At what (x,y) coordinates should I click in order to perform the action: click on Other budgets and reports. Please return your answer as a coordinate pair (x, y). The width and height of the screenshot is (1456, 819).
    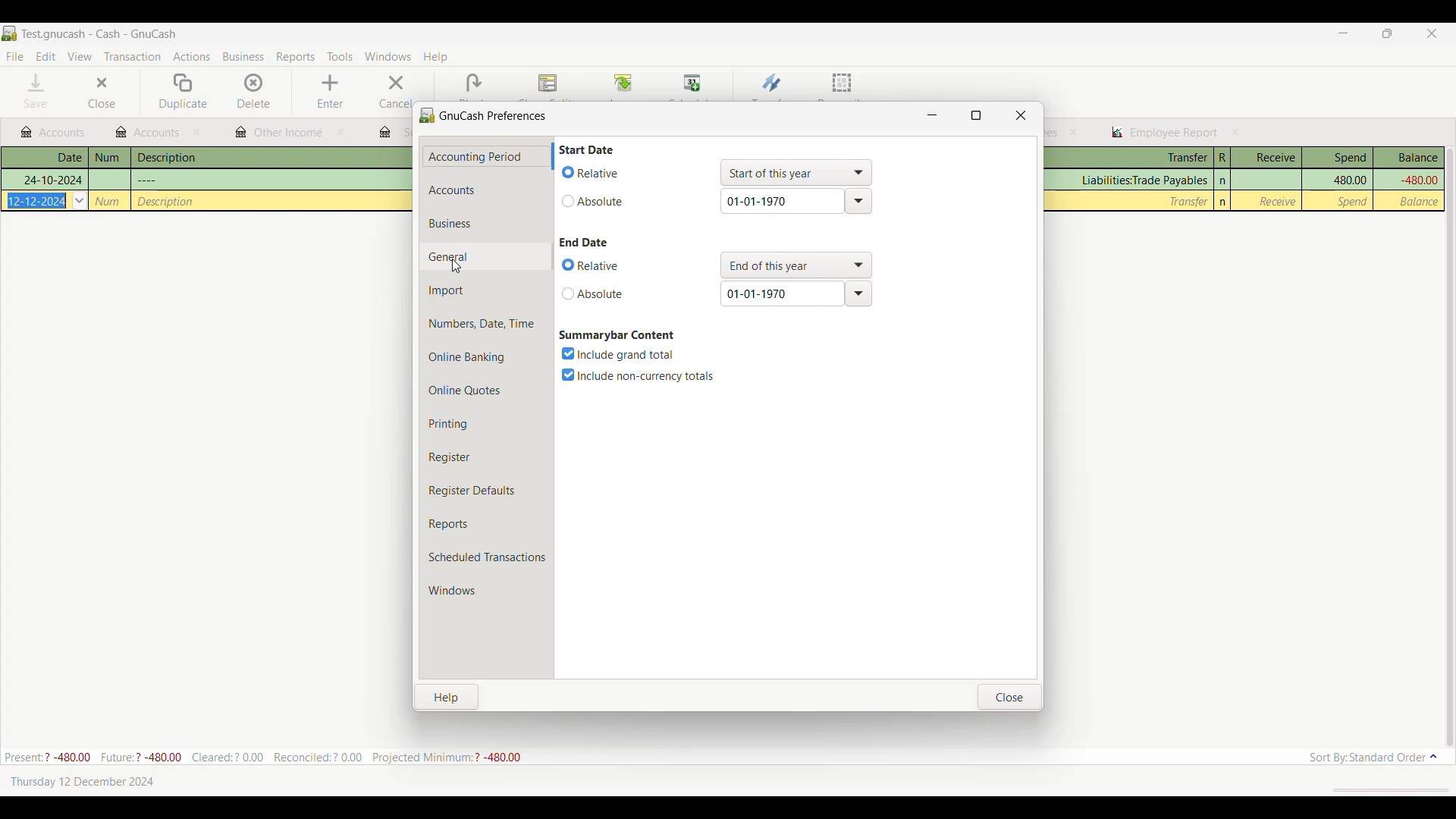
    Looking at the image, I should click on (52, 133).